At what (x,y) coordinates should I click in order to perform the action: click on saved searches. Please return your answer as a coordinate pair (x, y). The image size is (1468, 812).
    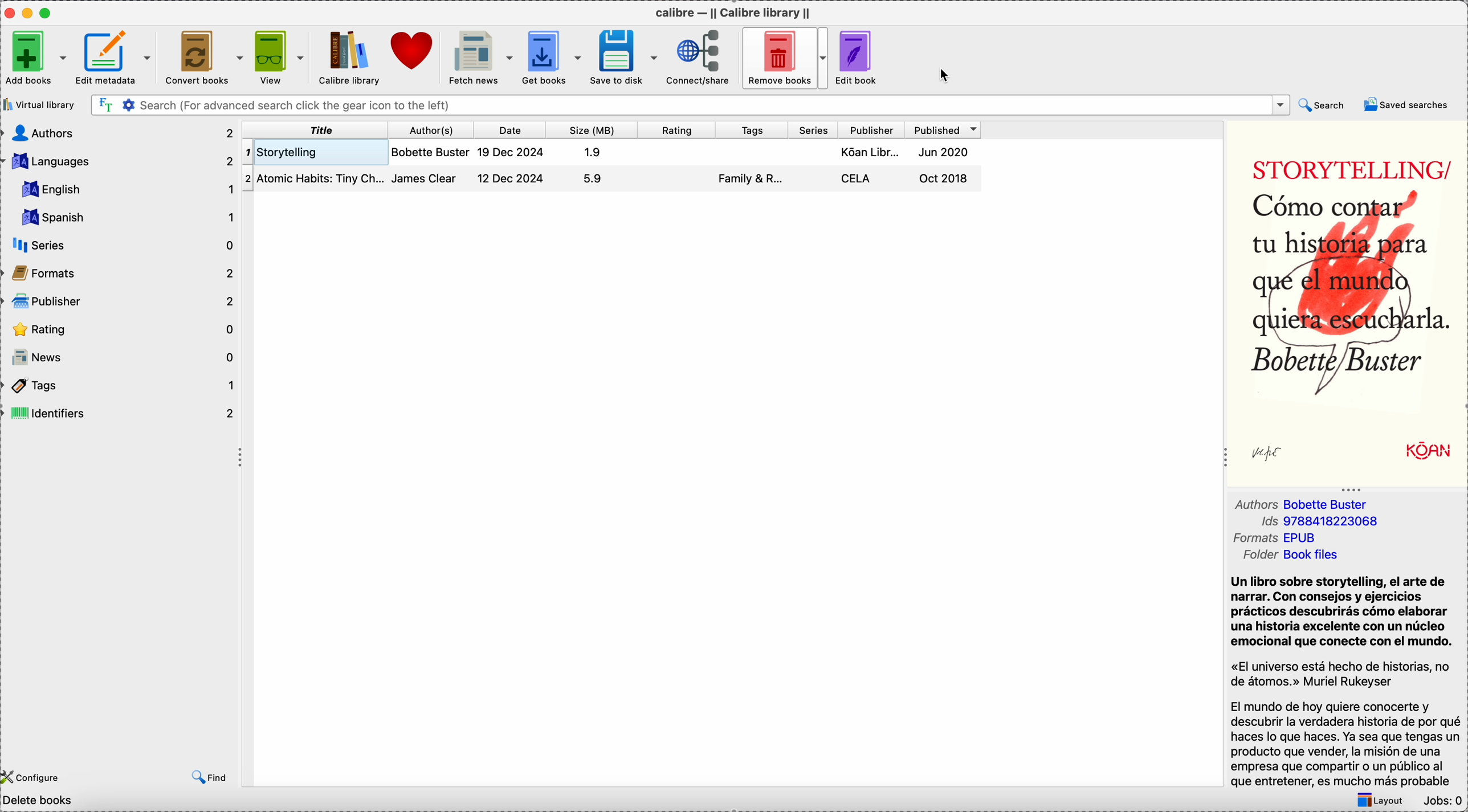
    Looking at the image, I should click on (1406, 104).